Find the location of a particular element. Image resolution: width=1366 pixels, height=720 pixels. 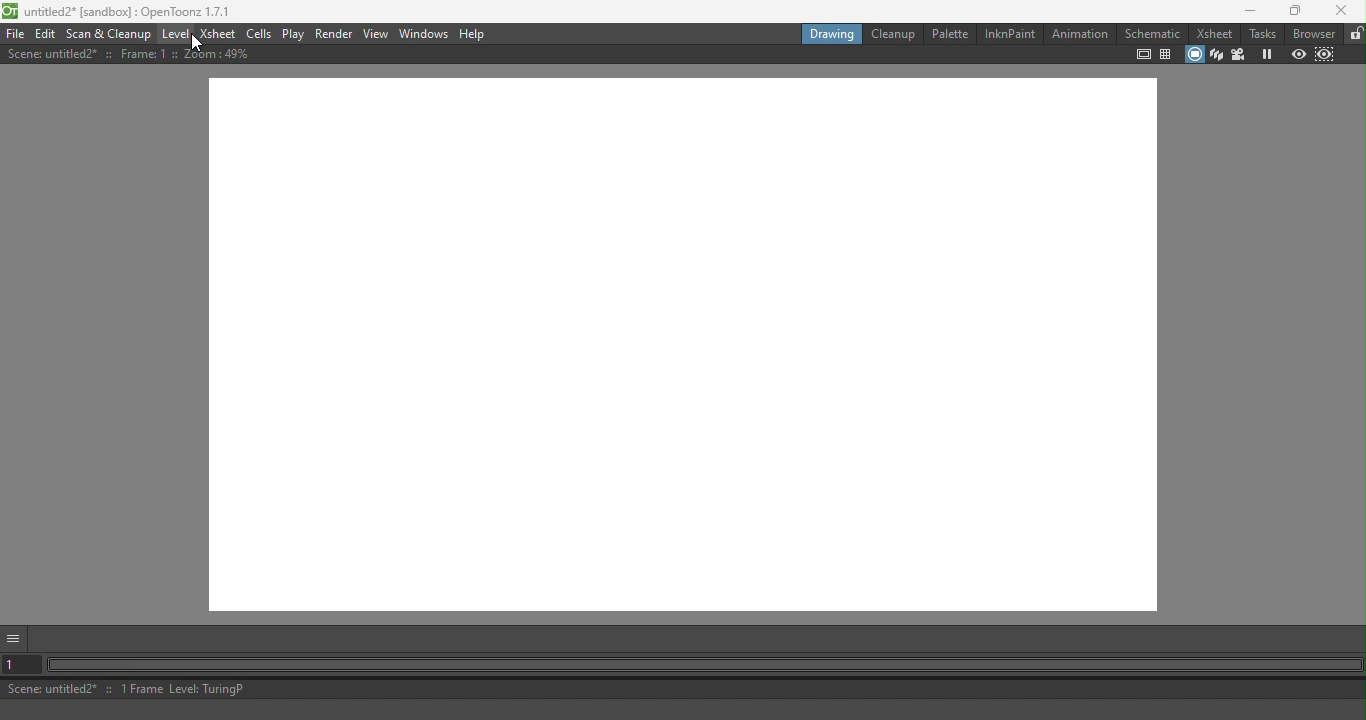

Cells is located at coordinates (259, 35).